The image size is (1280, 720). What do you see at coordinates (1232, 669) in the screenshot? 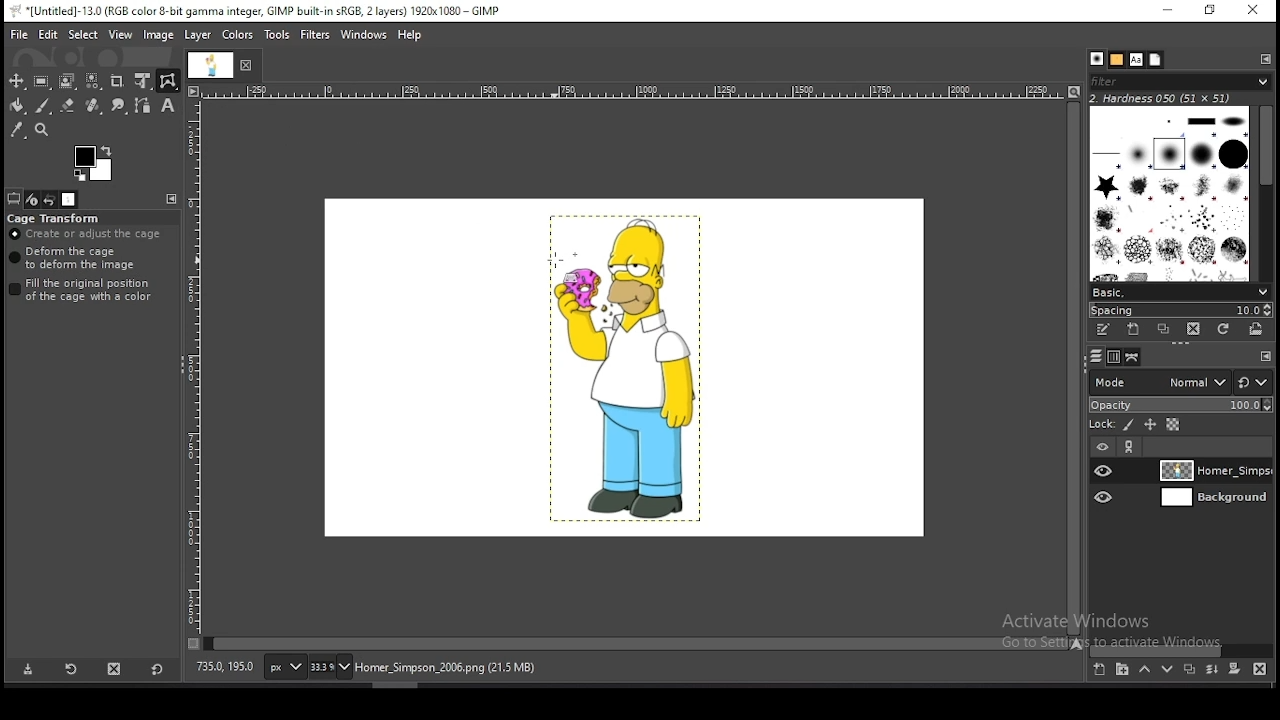
I see `add a mask` at bounding box center [1232, 669].